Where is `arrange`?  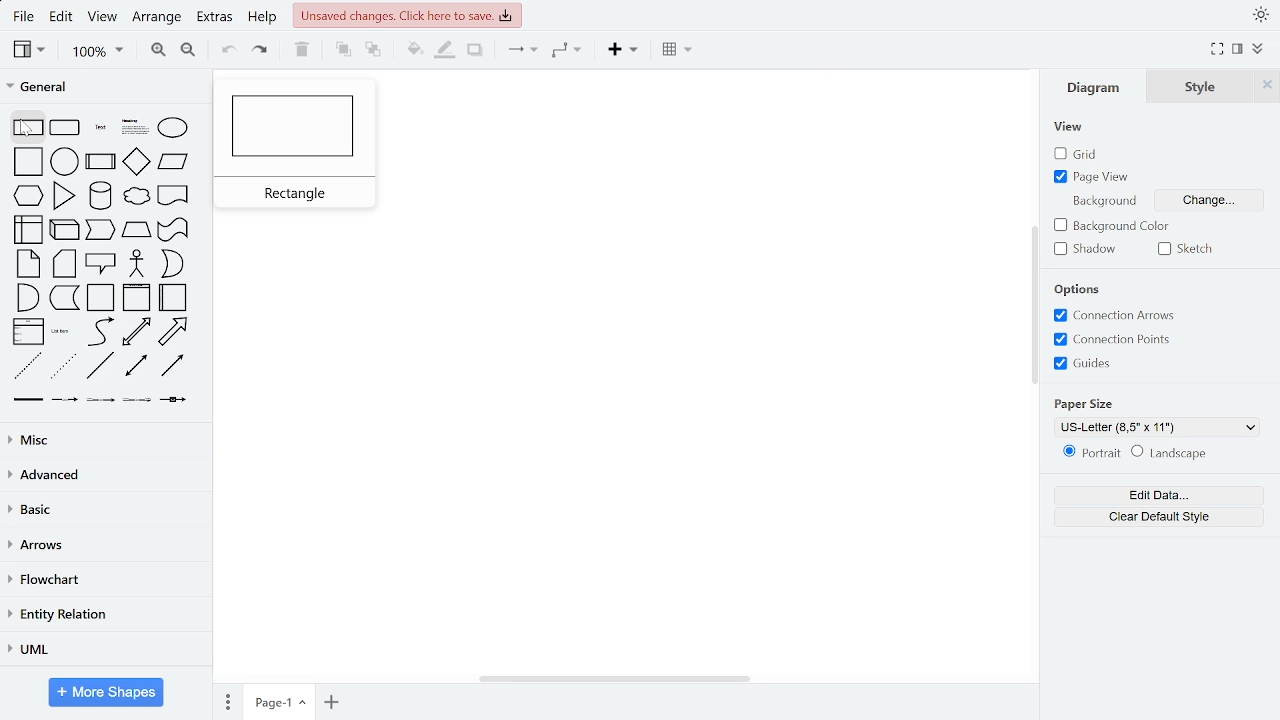
arrange is located at coordinates (156, 20).